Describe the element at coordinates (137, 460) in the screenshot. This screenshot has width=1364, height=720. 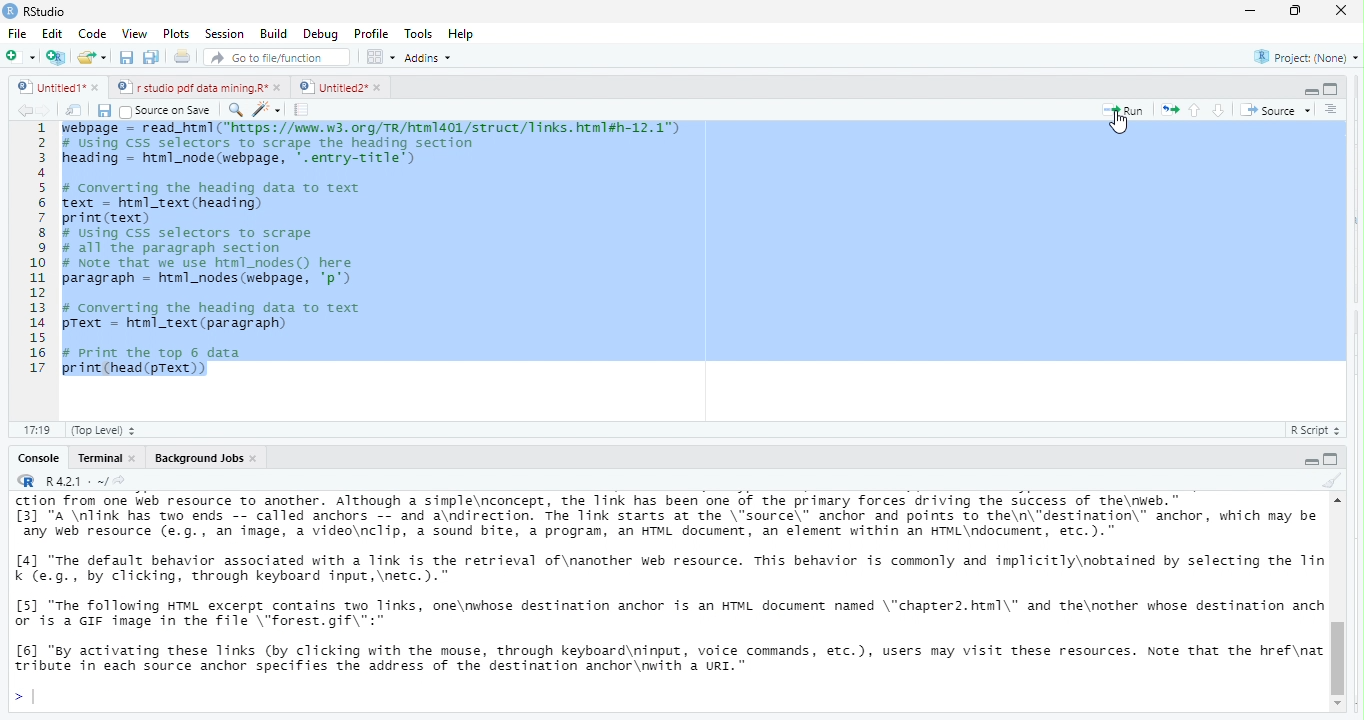
I see `close` at that location.